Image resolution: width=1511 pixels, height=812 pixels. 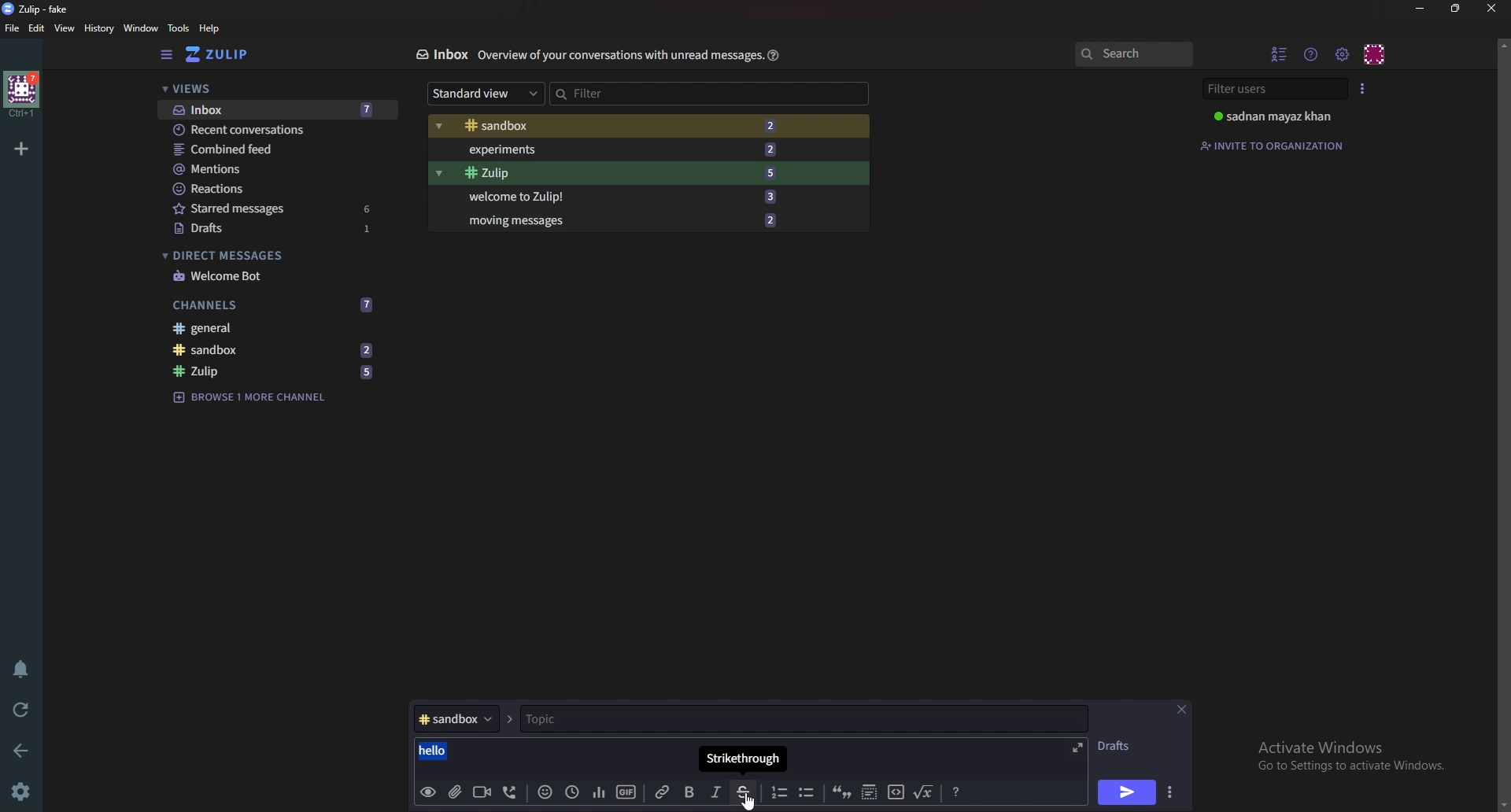 I want to click on view, so click(x=65, y=27).